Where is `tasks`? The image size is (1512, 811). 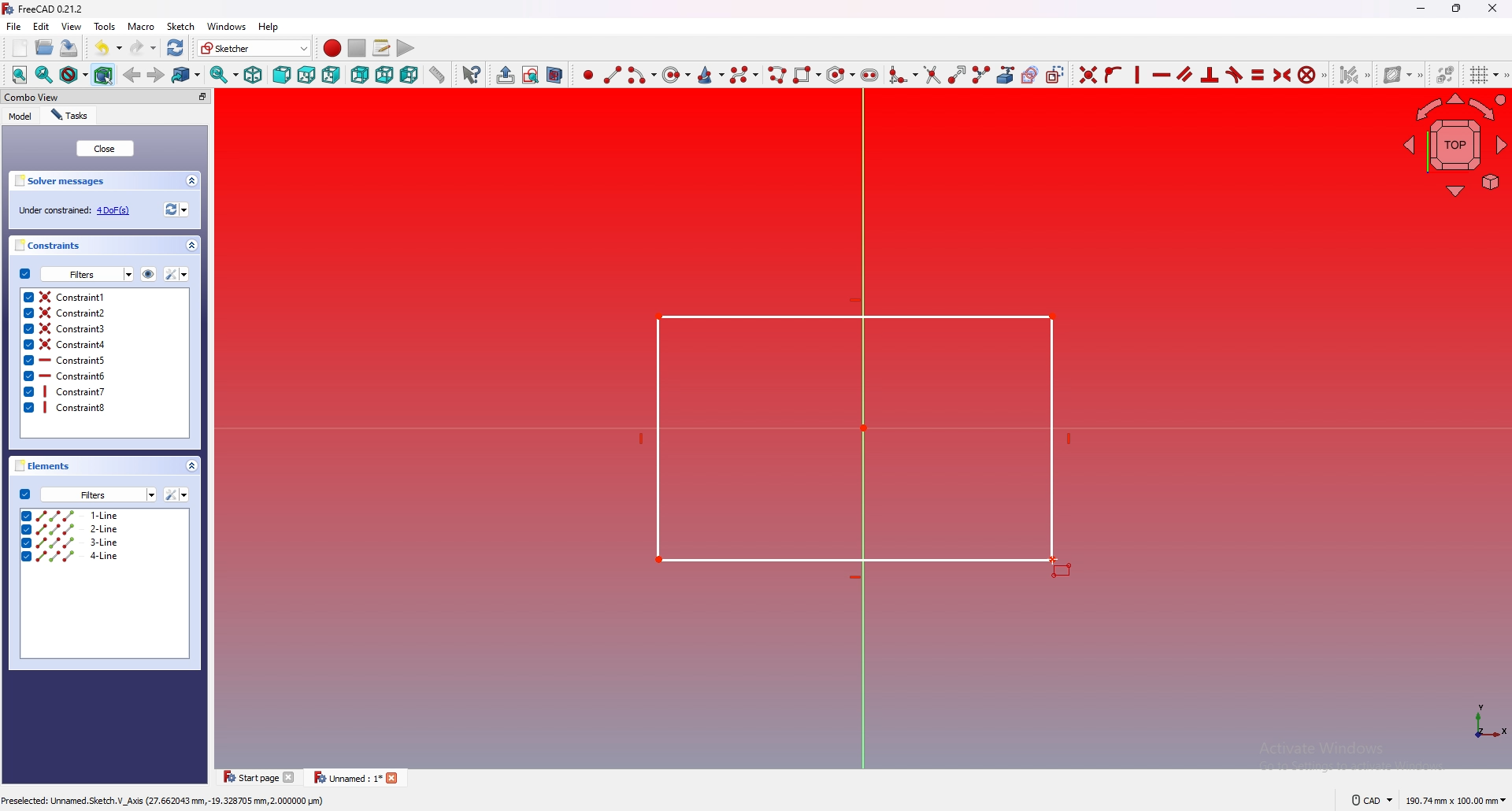
tasks is located at coordinates (70, 116).